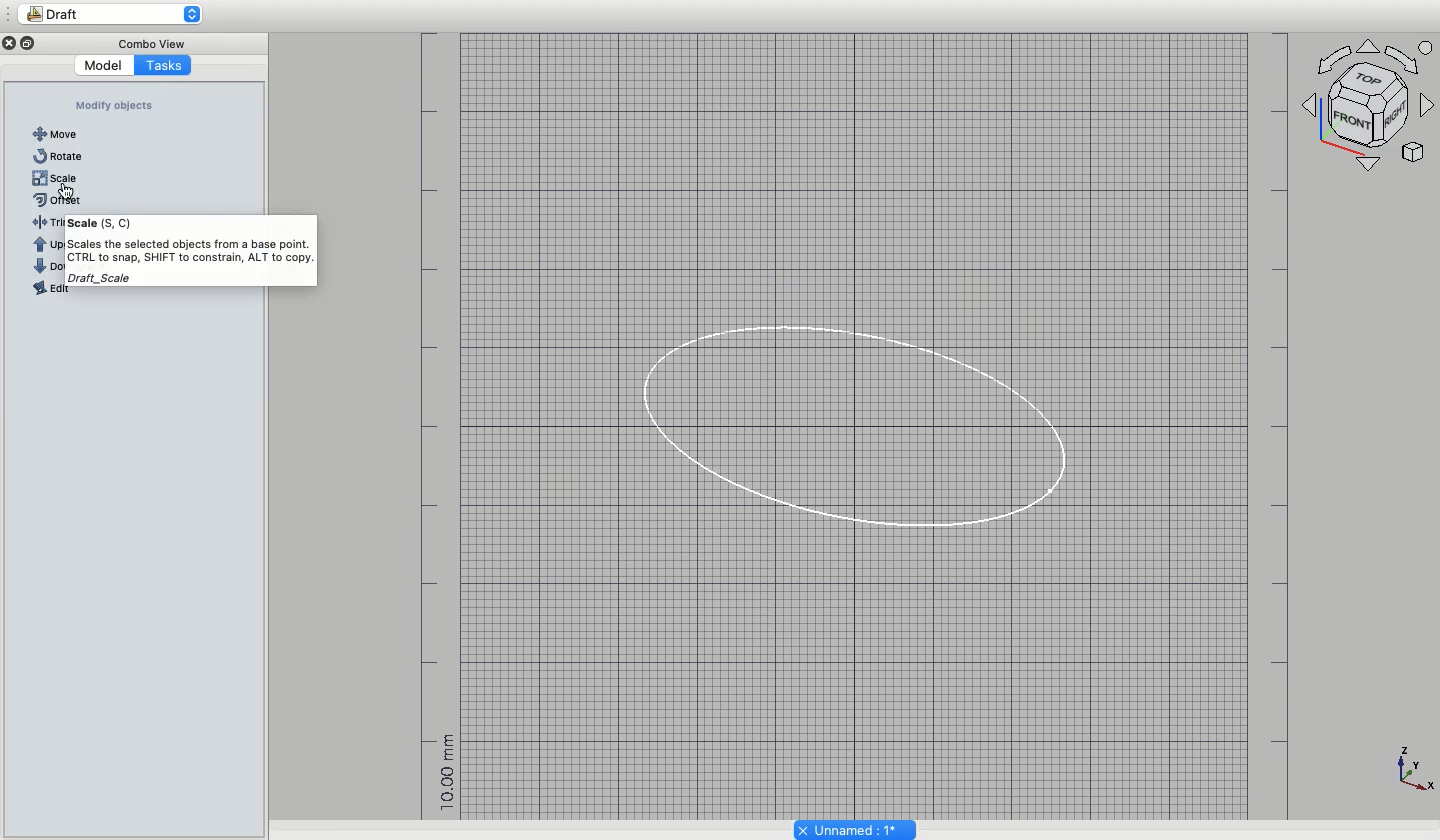  I want to click on Oval, so click(848, 421).